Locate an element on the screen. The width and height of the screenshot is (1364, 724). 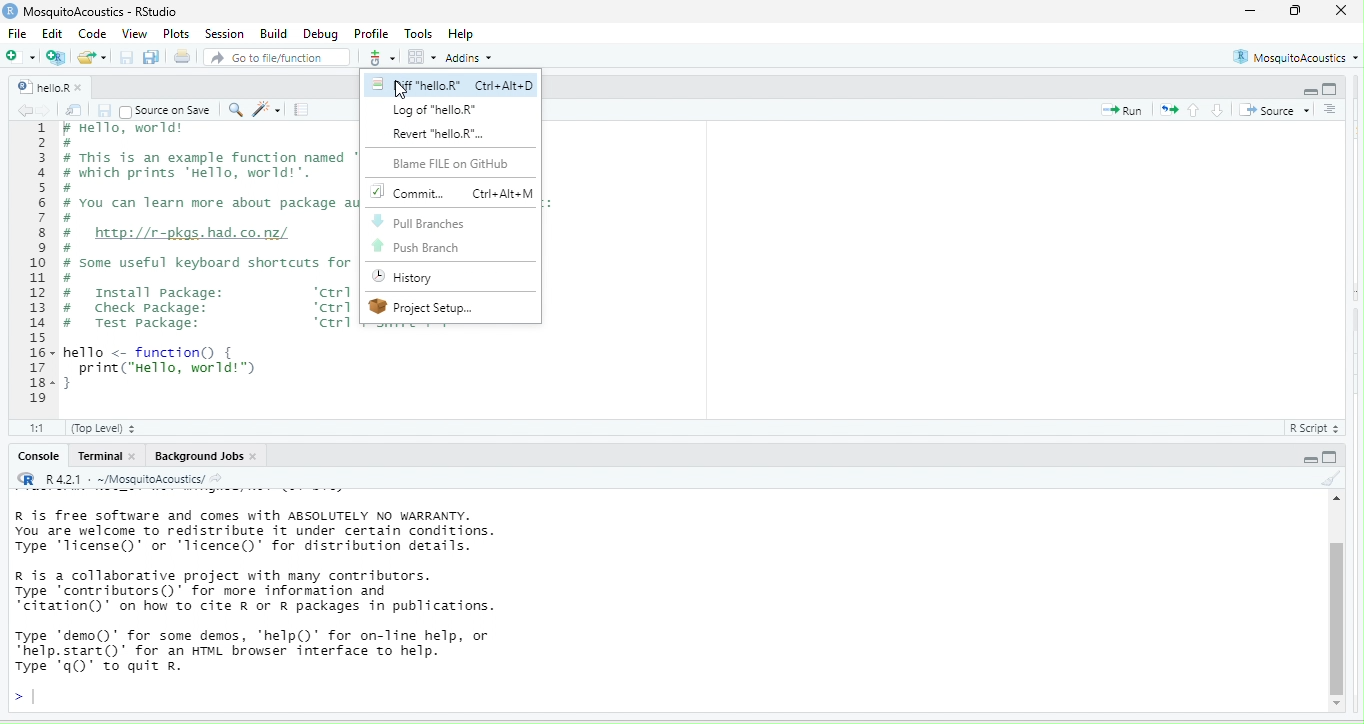
source is located at coordinates (1274, 110).